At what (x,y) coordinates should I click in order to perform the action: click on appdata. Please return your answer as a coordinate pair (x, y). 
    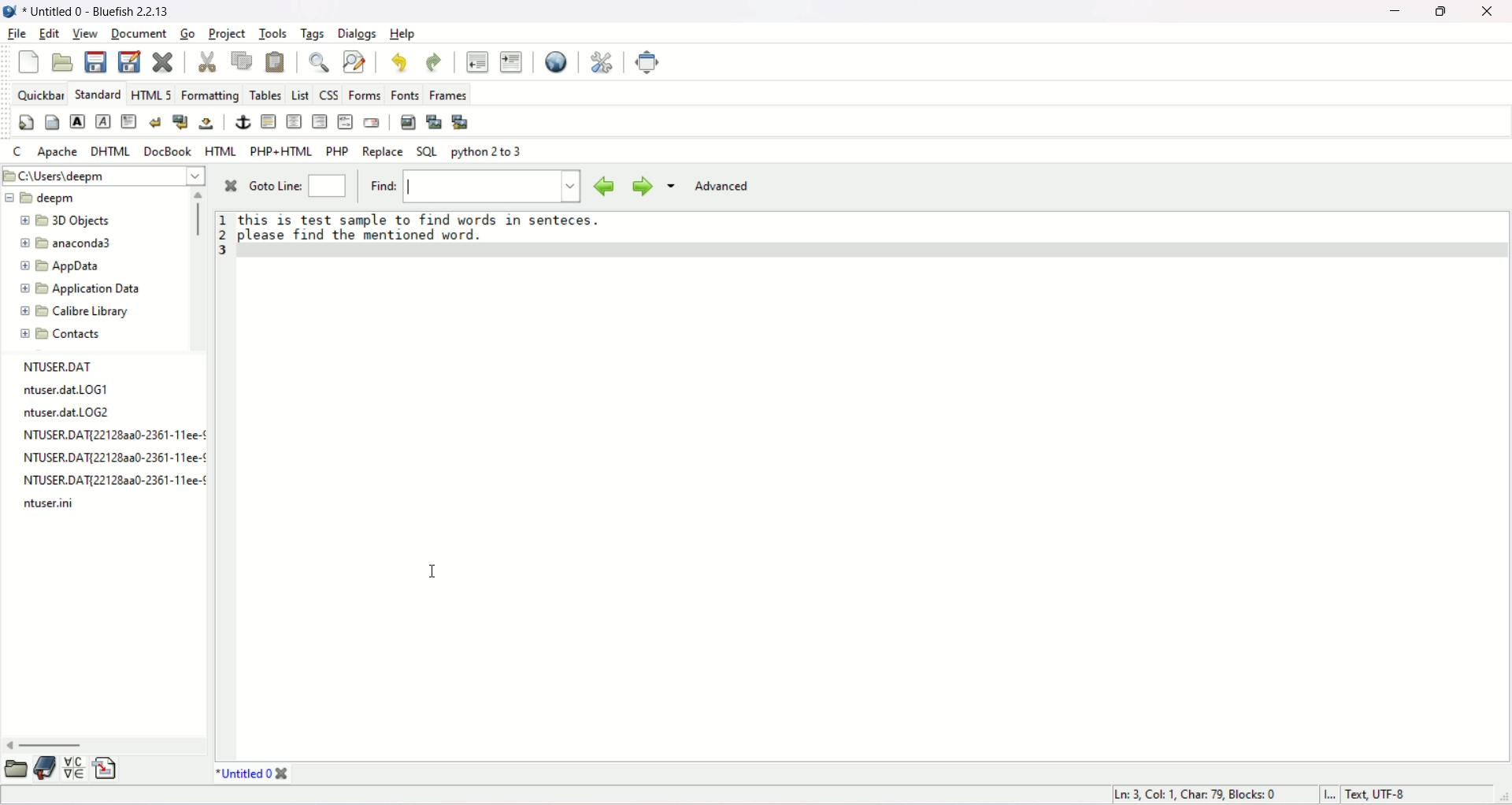
    Looking at the image, I should click on (60, 266).